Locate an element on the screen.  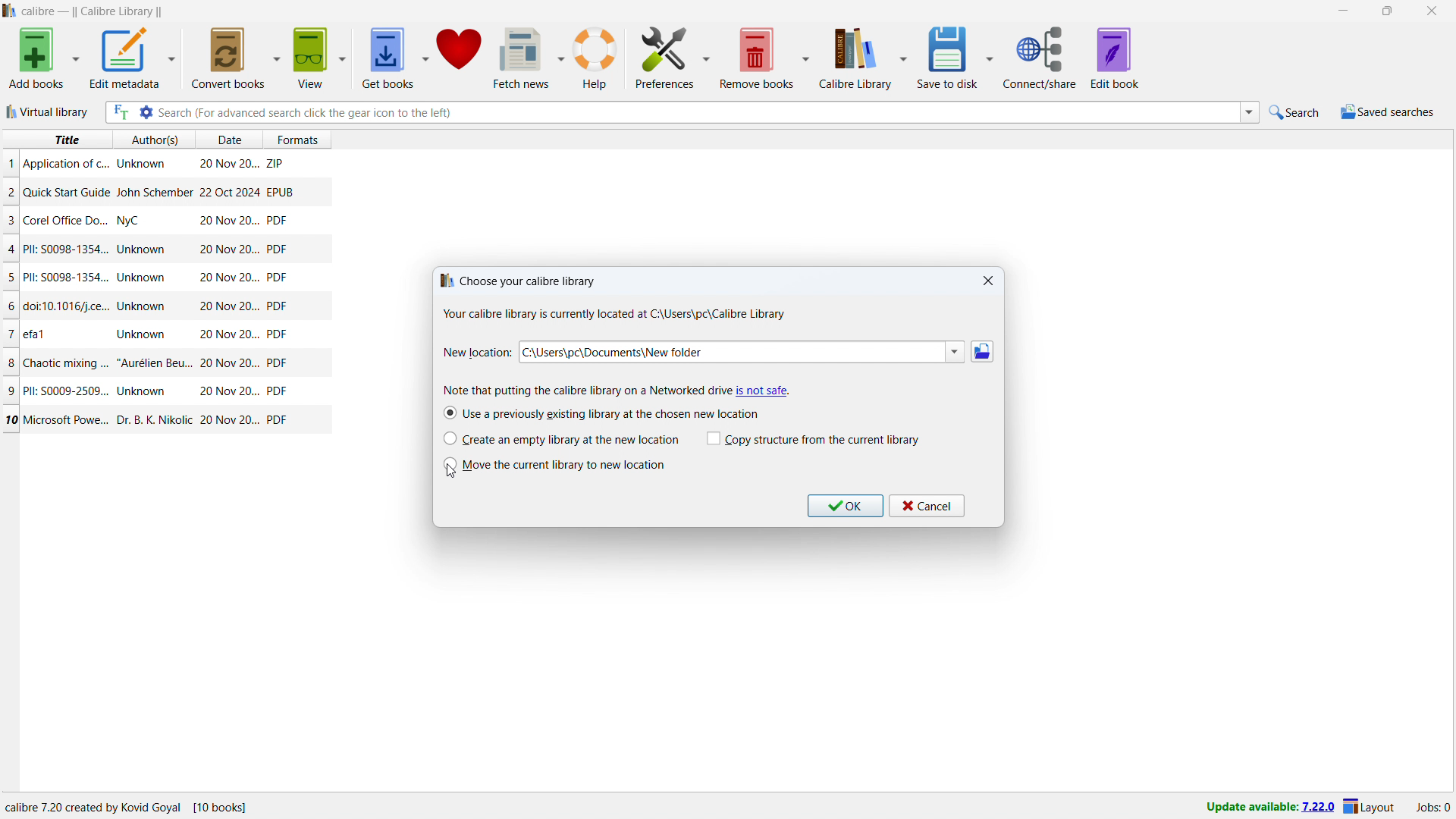
update is located at coordinates (1269, 808).